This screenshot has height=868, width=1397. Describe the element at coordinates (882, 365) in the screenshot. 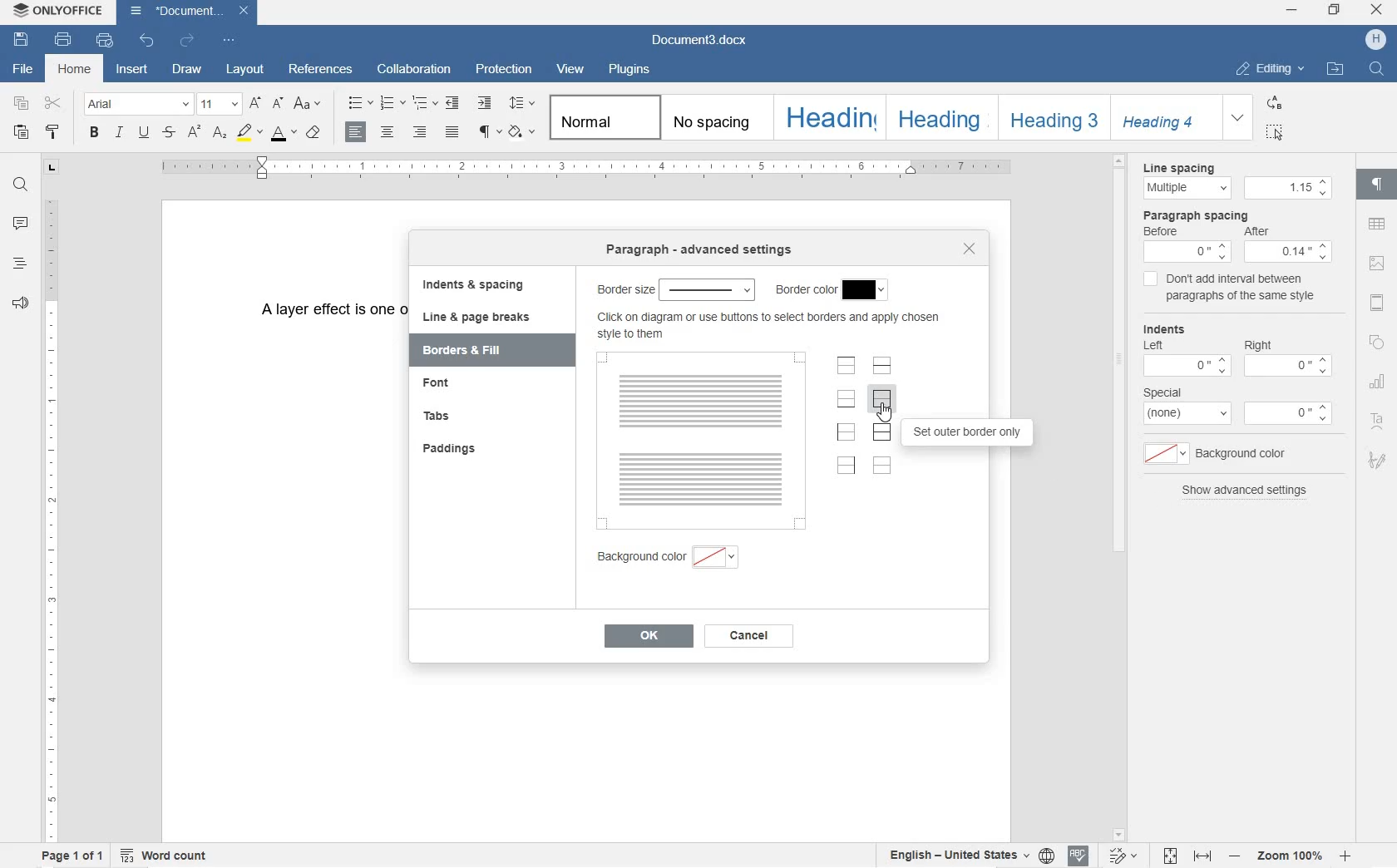

I see `set horizontal inner borders` at that location.